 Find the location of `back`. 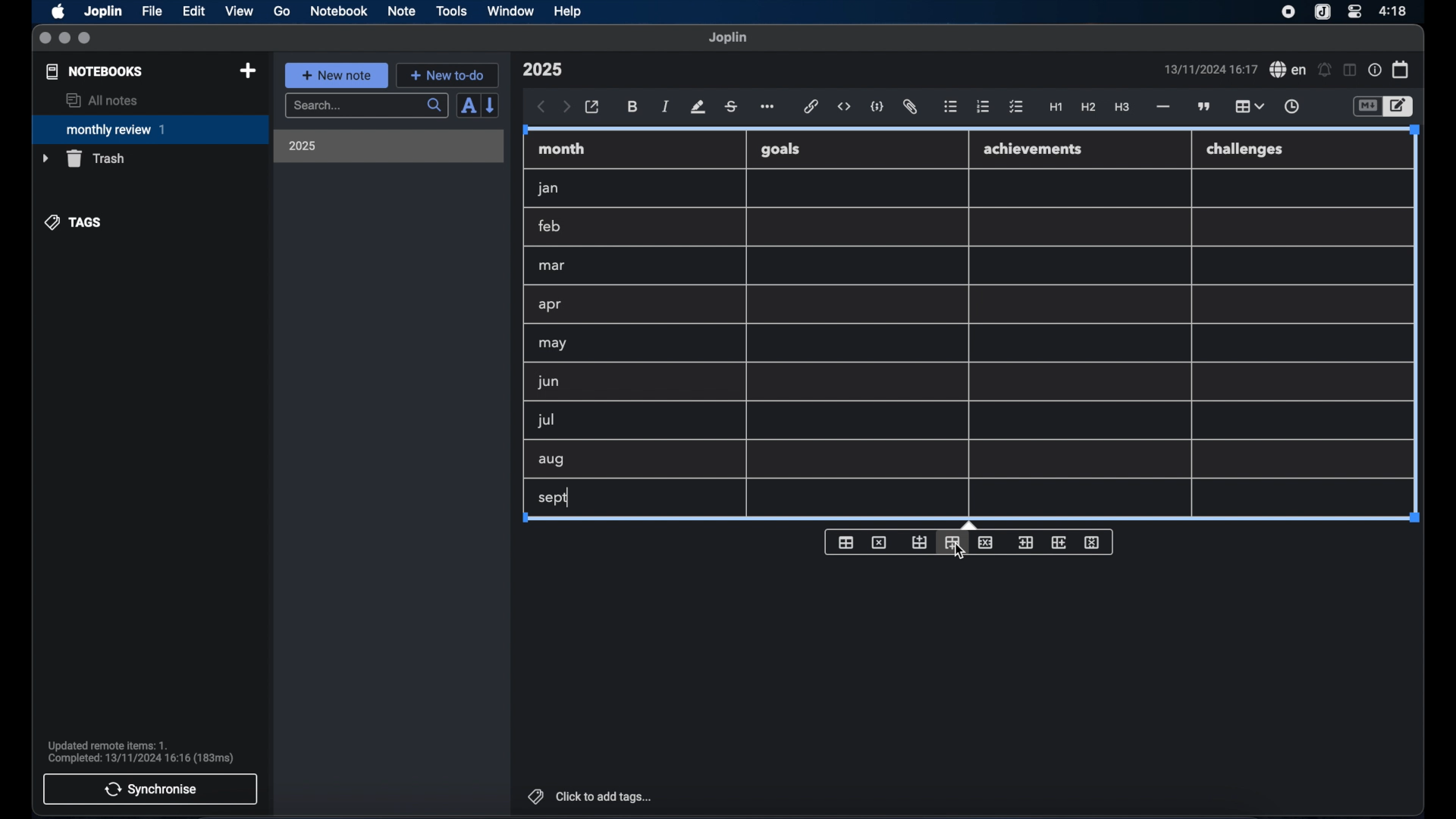

back is located at coordinates (541, 107).